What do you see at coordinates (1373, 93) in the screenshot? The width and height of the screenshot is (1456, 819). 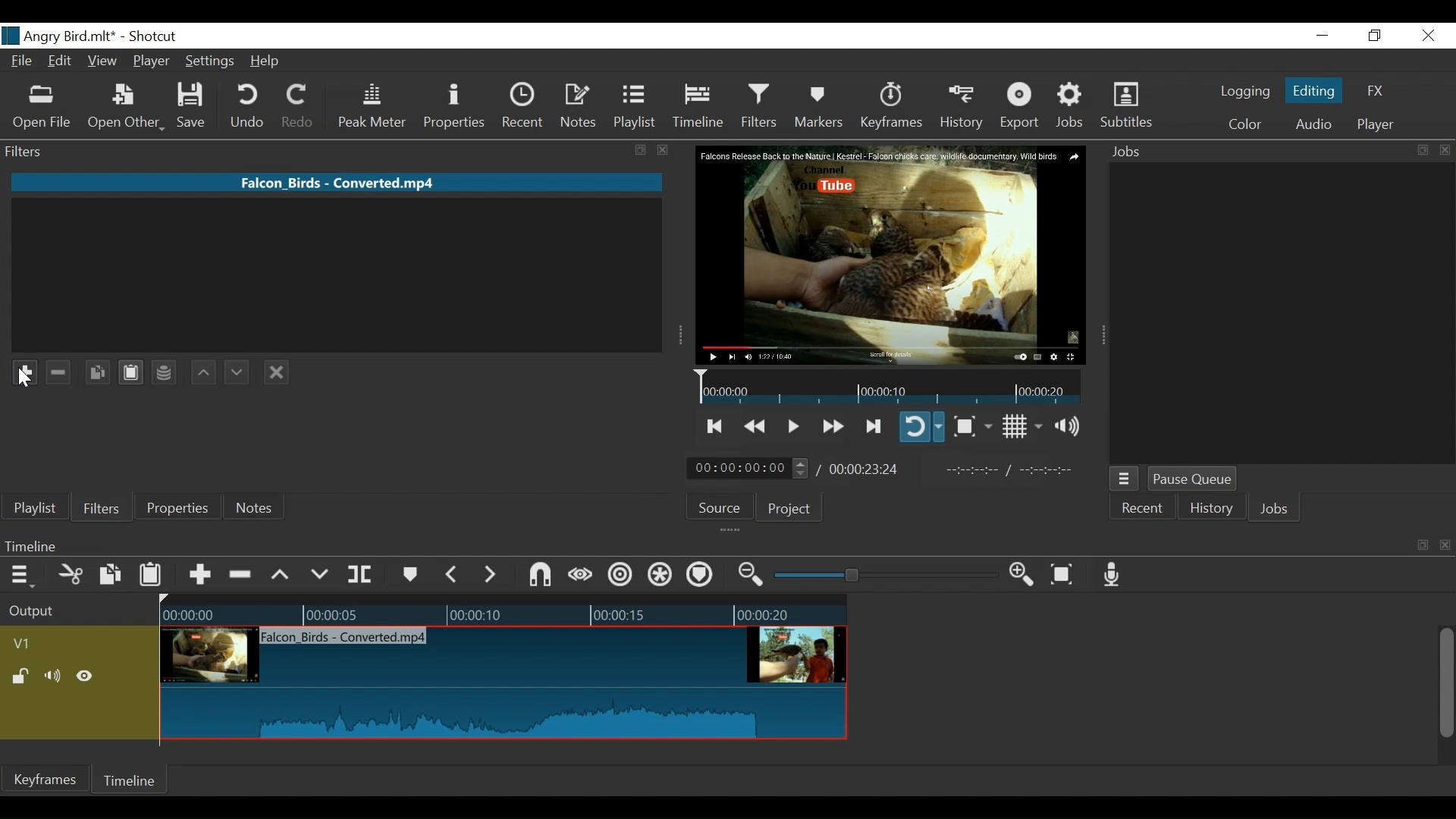 I see `FX` at bounding box center [1373, 93].